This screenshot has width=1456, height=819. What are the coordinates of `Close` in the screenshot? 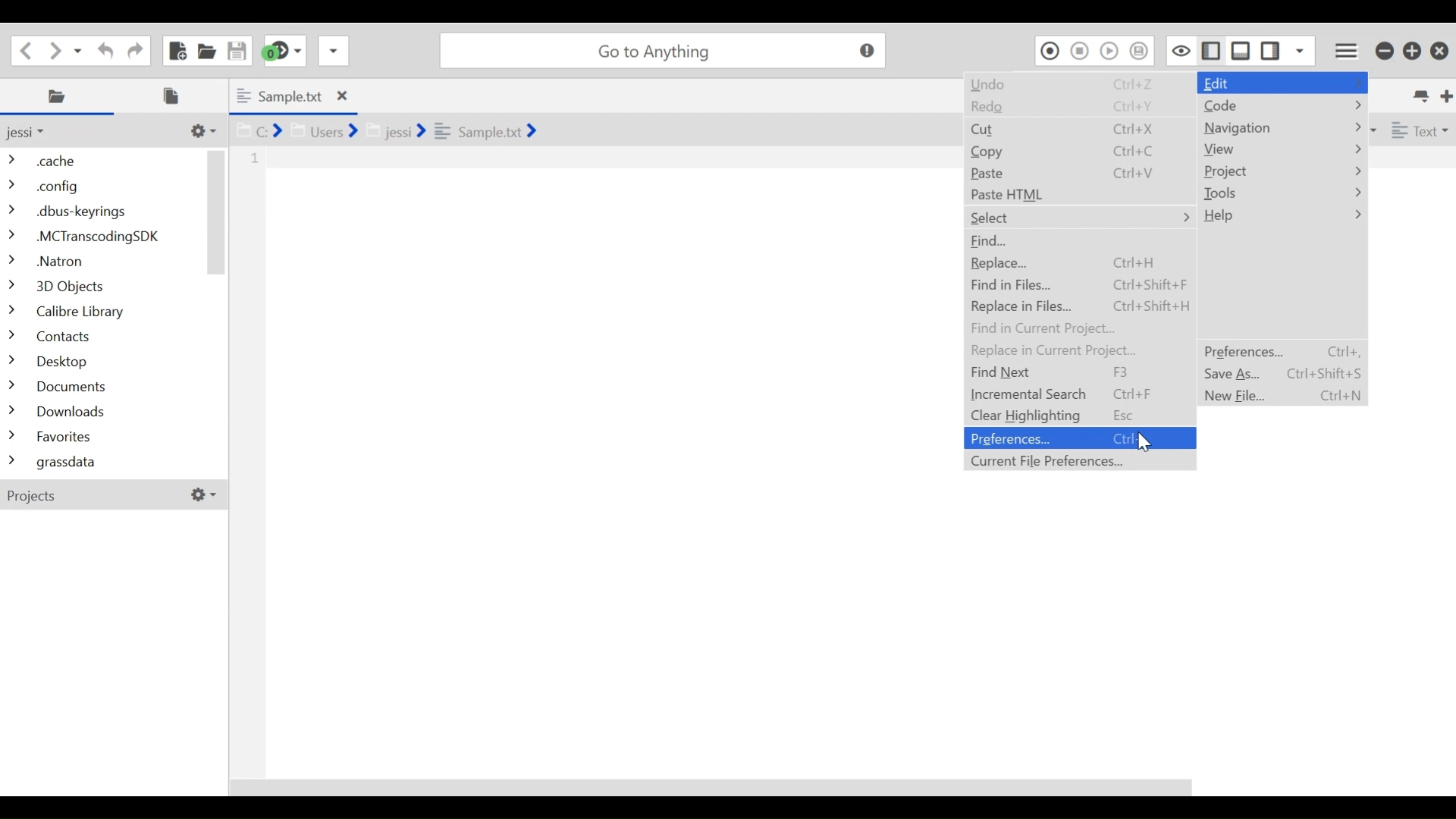 It's located at (1439, 52).